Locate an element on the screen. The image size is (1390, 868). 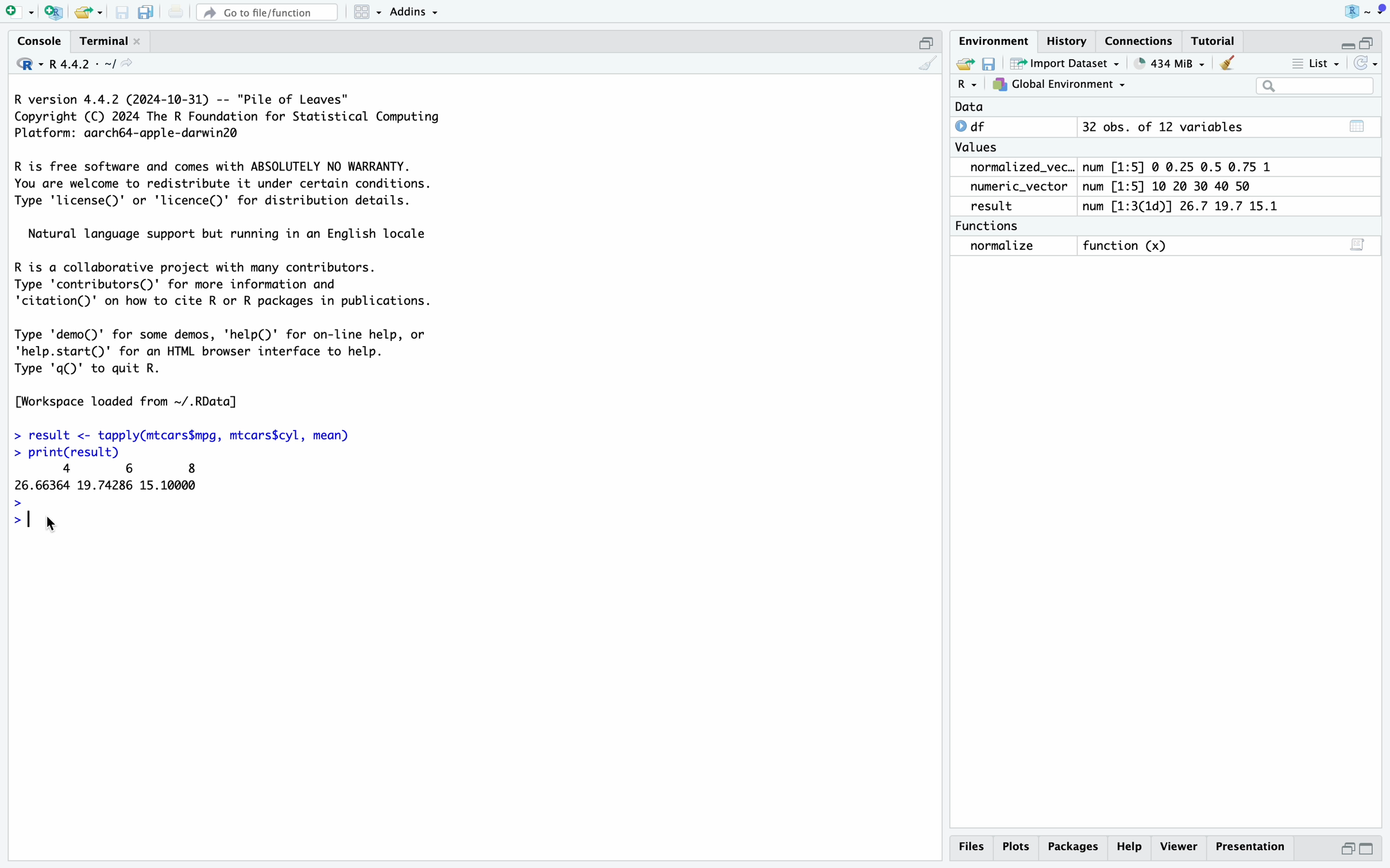
Viewer is located at coordinates (1179, 847).